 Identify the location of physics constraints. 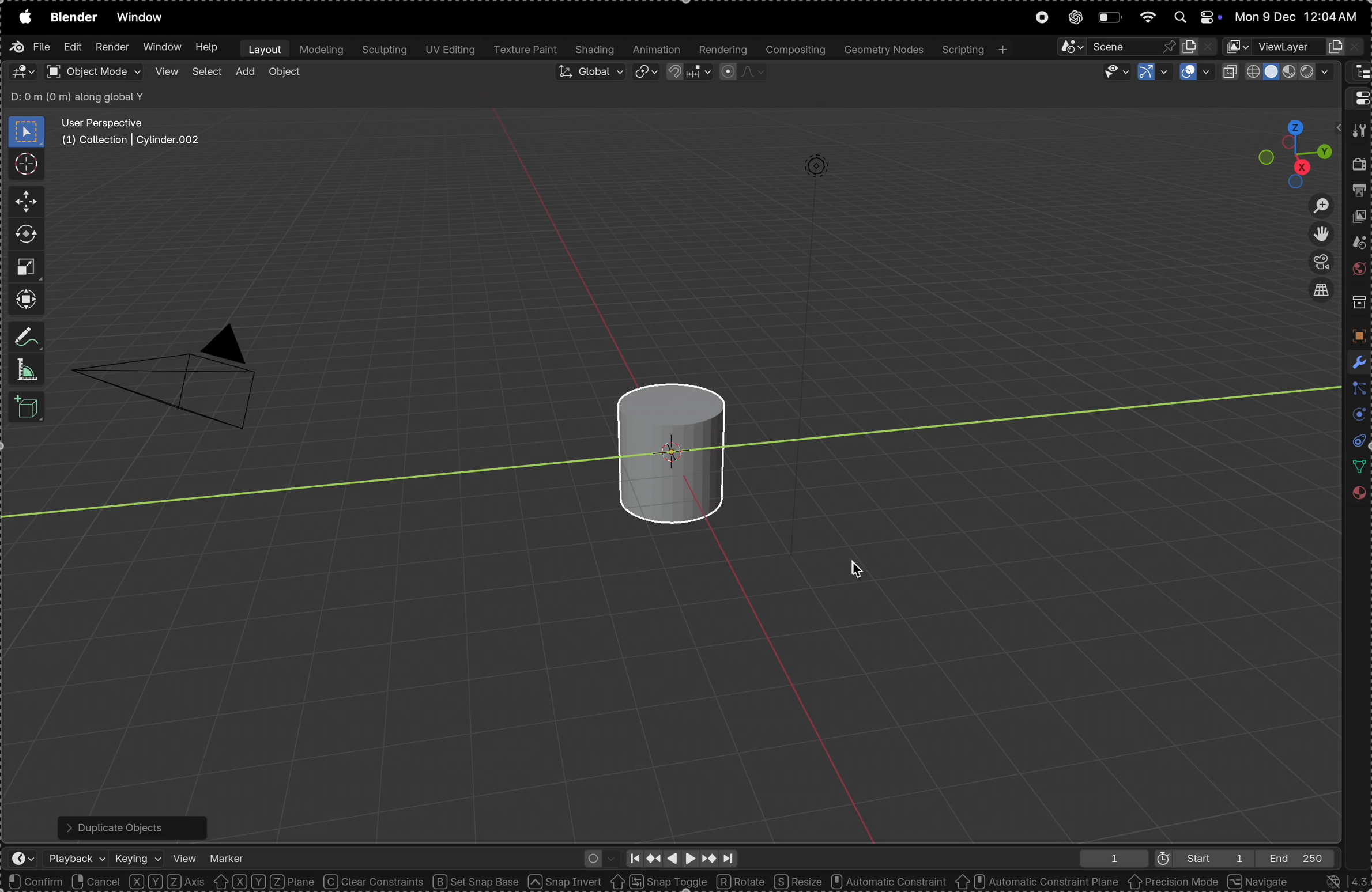
(1355, 442).